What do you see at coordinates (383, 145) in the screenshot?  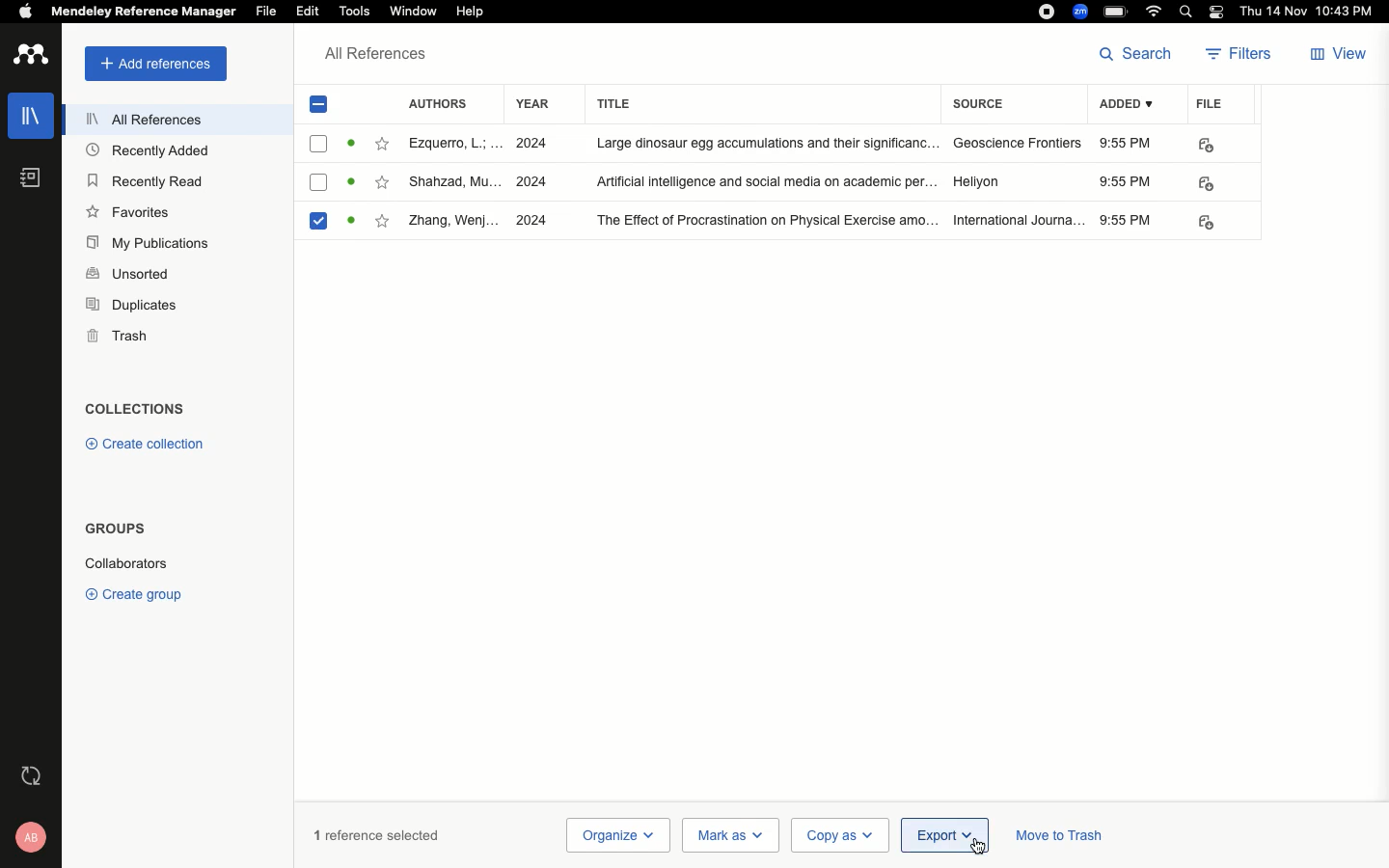 I see `Favourite` at bounding box center [383, 145].